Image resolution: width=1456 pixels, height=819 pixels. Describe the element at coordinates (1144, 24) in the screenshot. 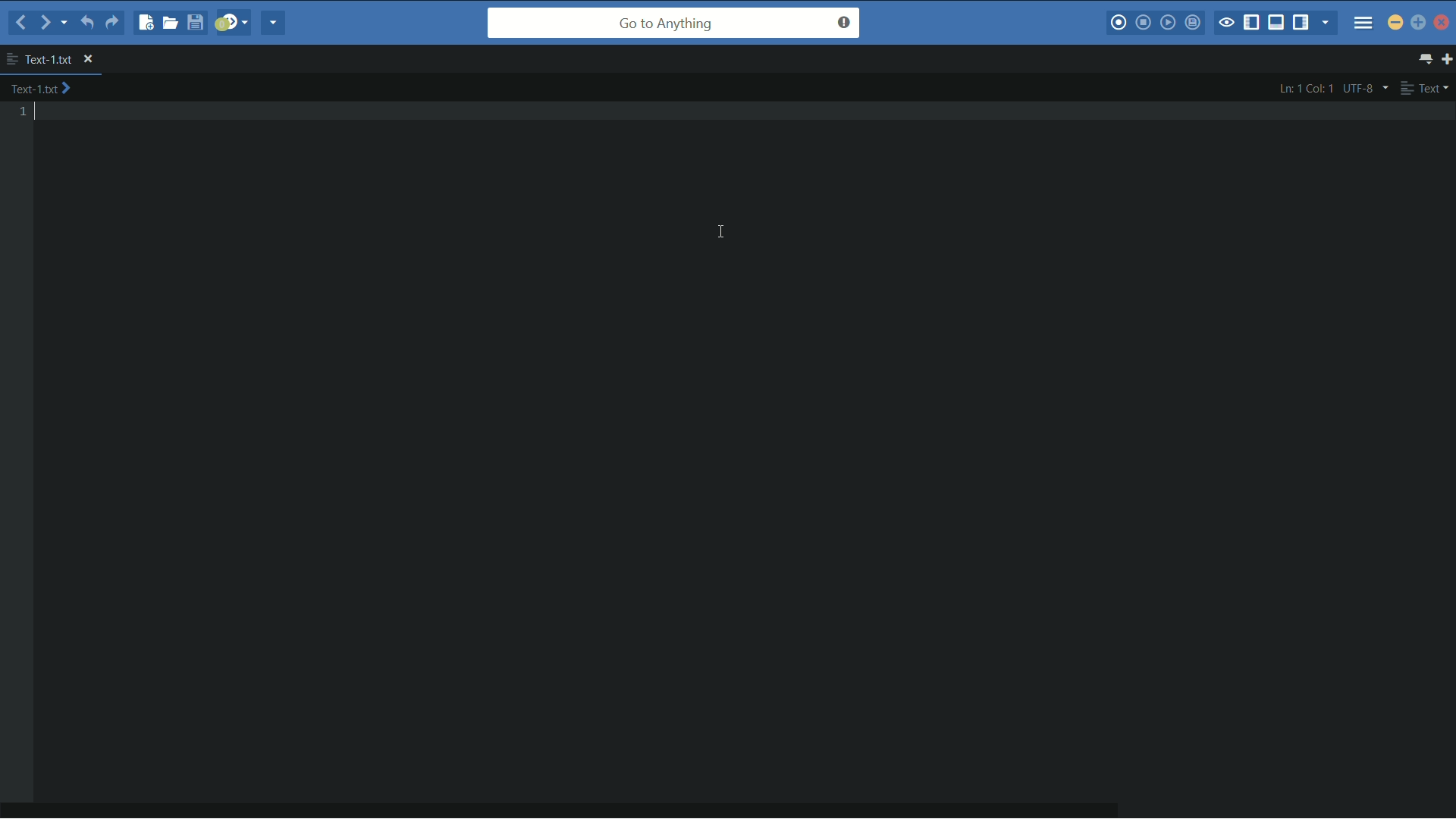

I see `stop macro` at that location.